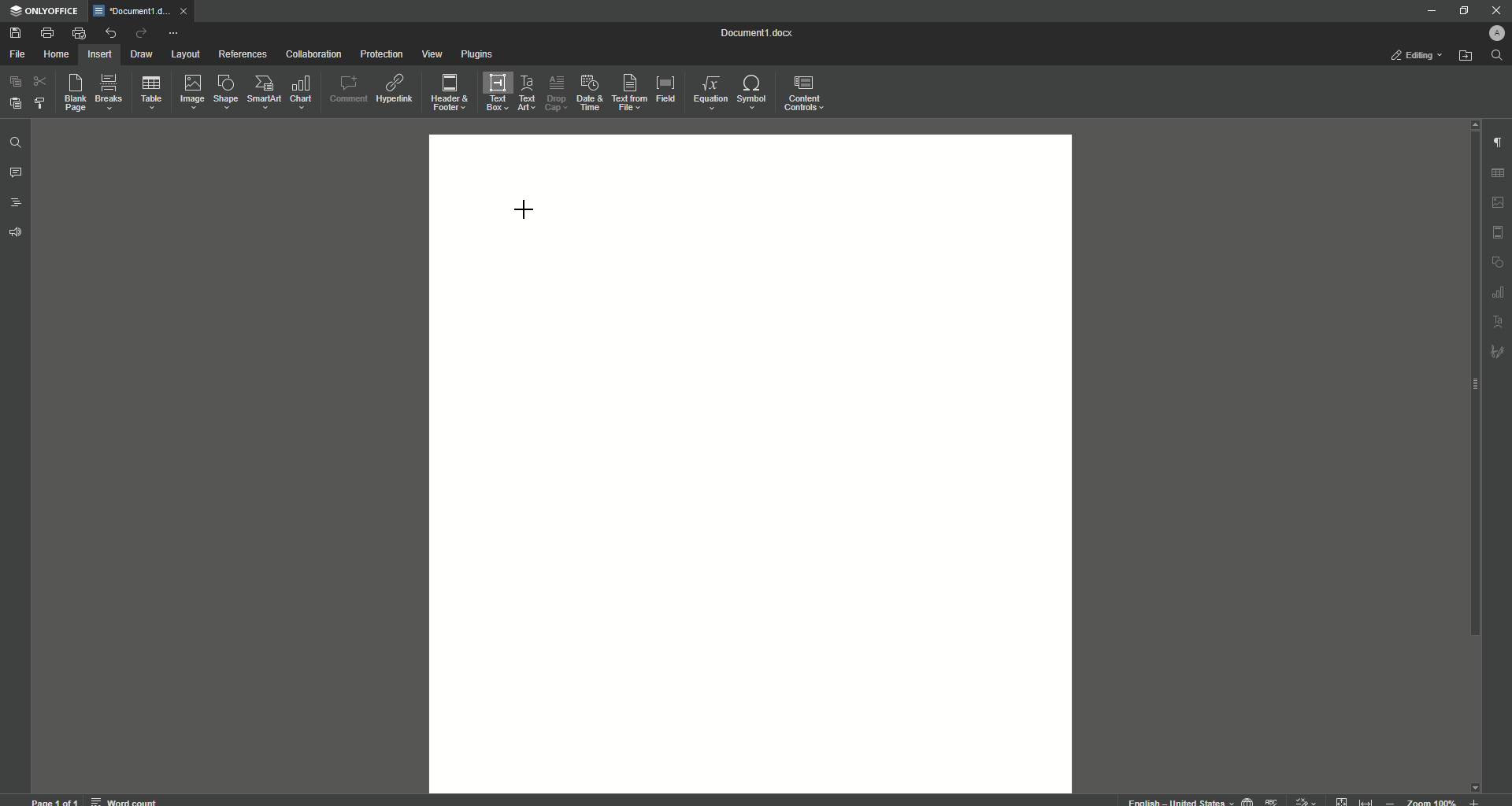 This screenshot has width=1512, height=806. I want to click on Chart, so click(302, 92).